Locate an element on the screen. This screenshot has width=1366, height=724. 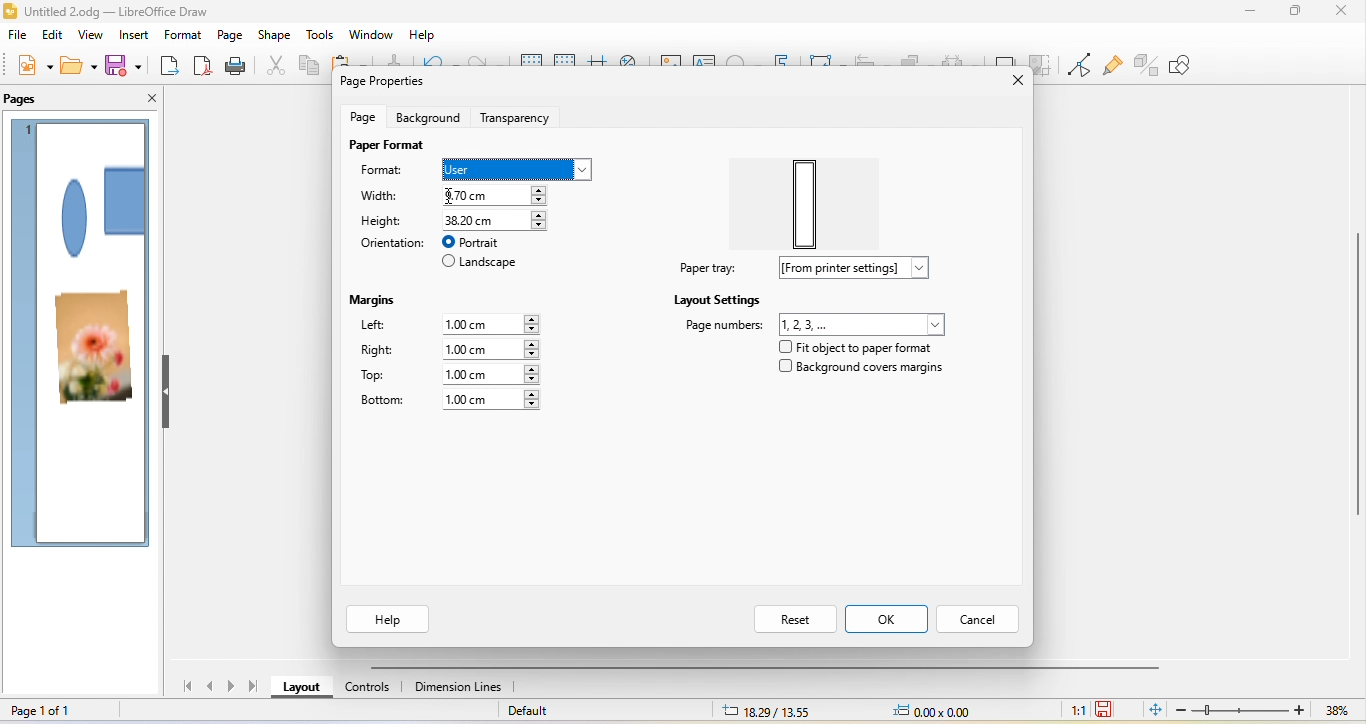
text box is located at coordinates (707, 63).